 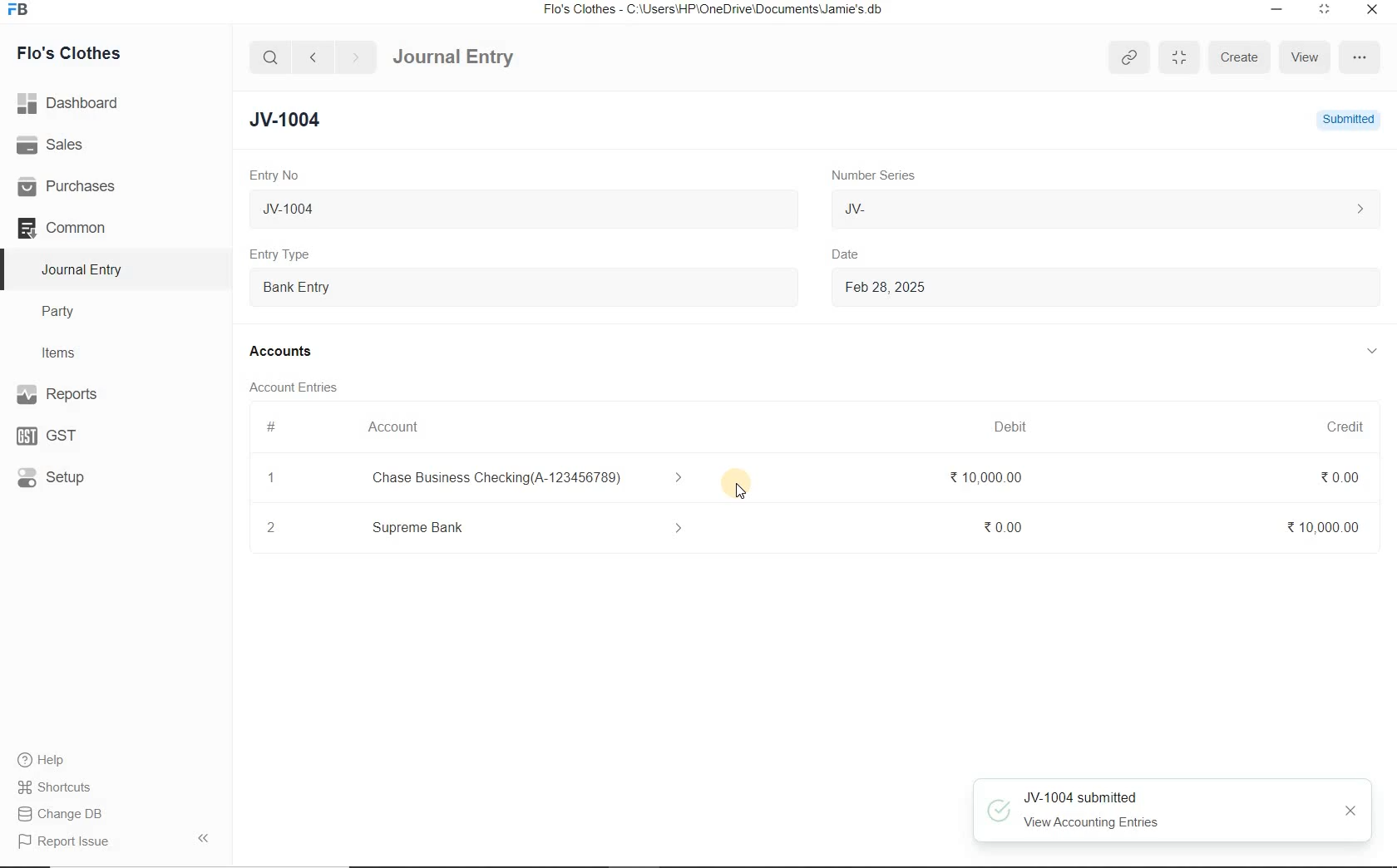 What do you see at coordinates (45, 760) in the screenshot?
I see `Help` at bounding box center [45, 760].